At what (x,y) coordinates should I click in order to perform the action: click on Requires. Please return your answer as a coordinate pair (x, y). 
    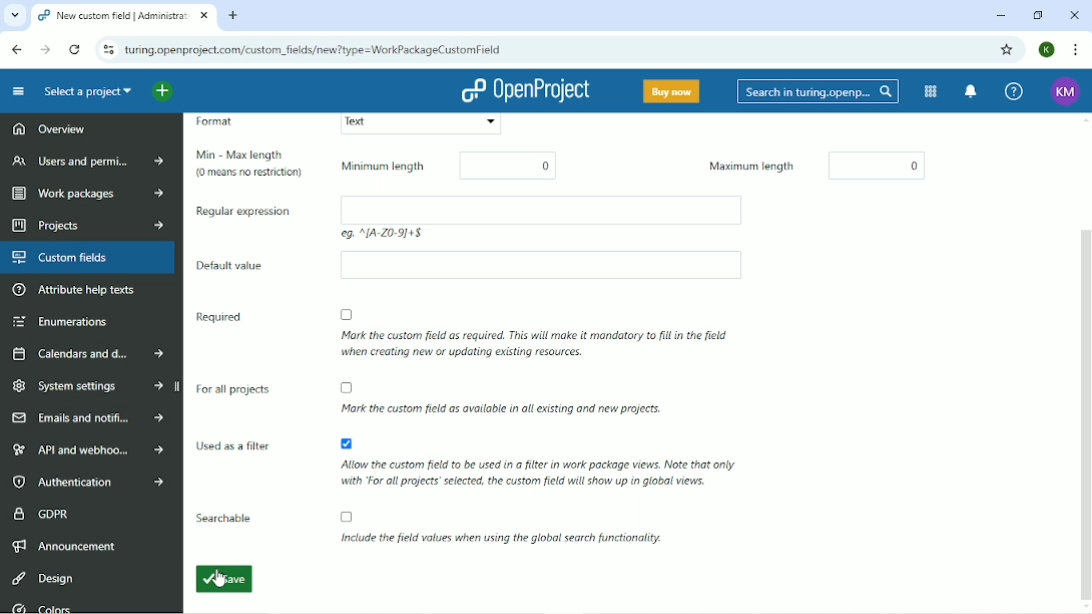
    Looking at the image, I should click on (220, 317).